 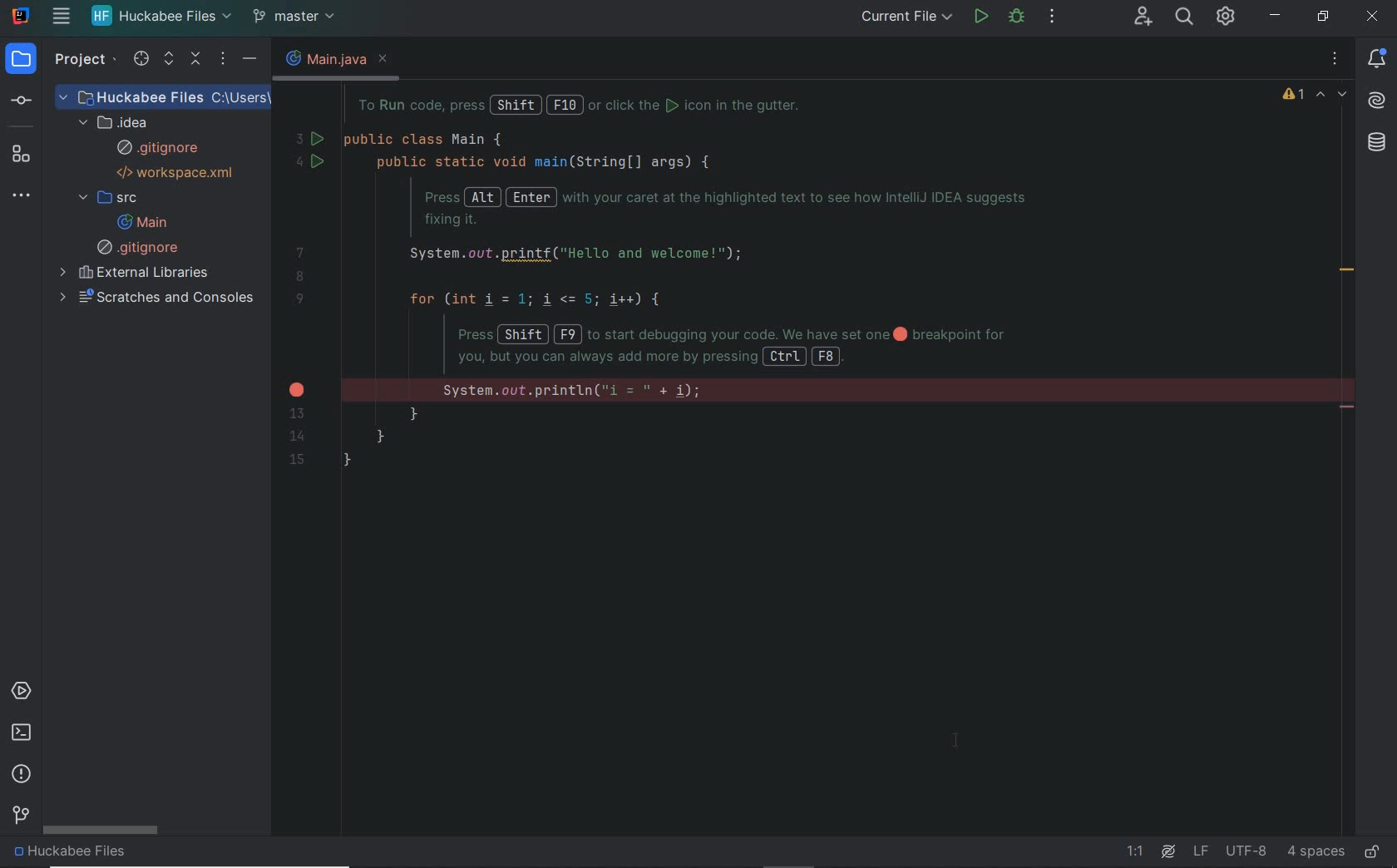 I want to click on minimize, so click(x=1276, y=12).